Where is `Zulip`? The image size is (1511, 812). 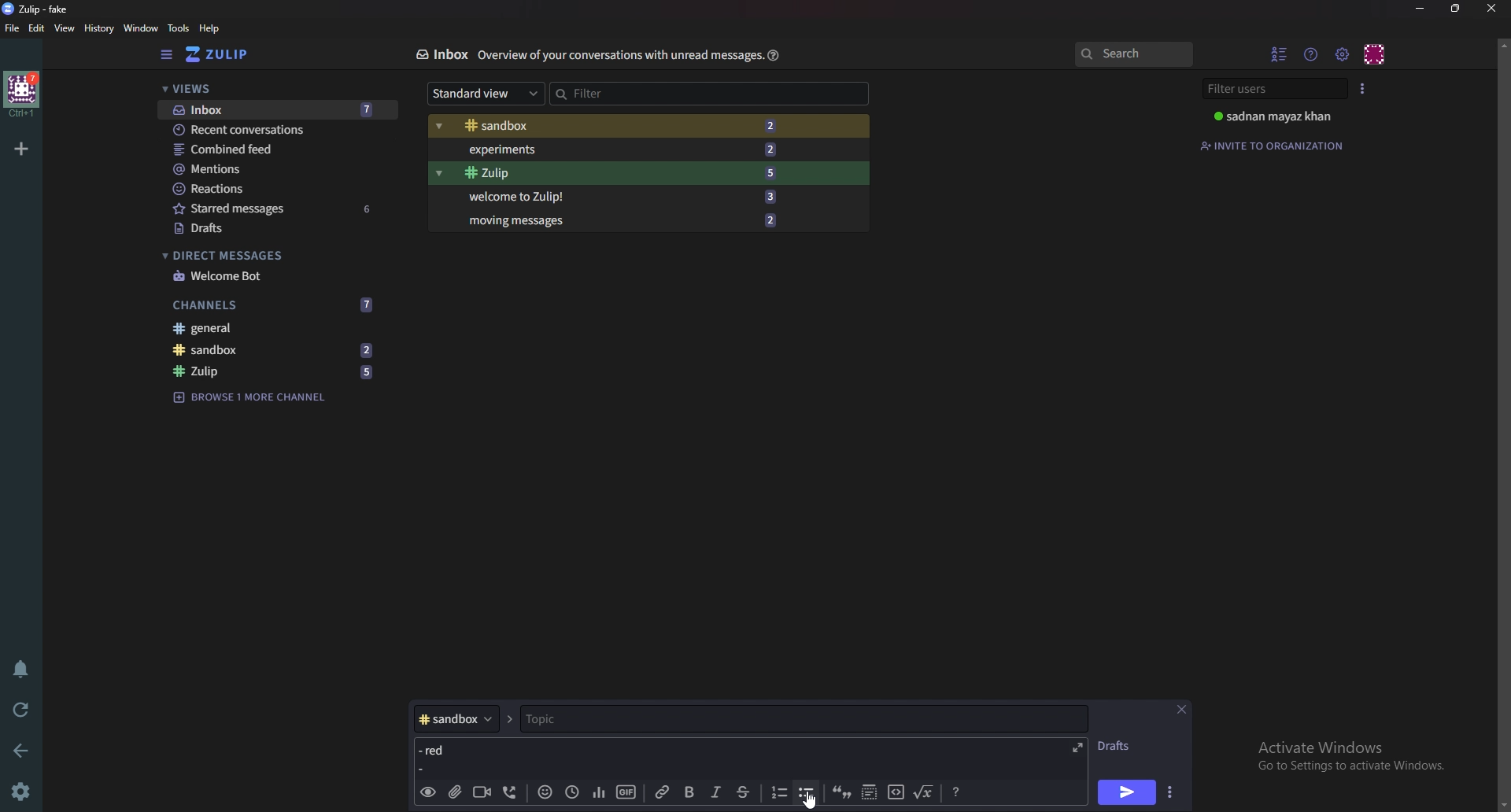 Zulip is located at coordinates (618, 173).